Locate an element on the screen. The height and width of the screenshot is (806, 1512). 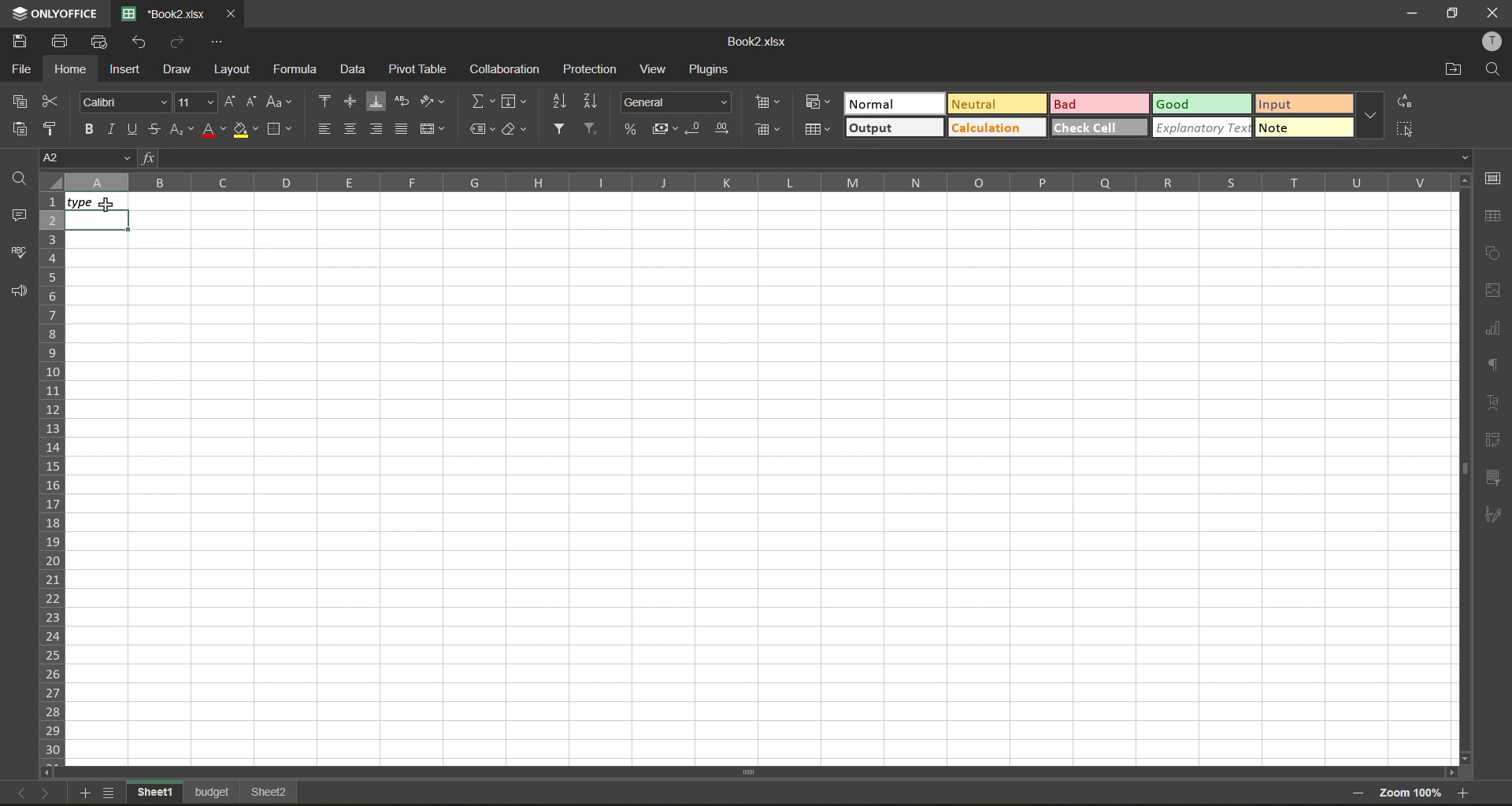
align right is located at coordinates (376, 131).